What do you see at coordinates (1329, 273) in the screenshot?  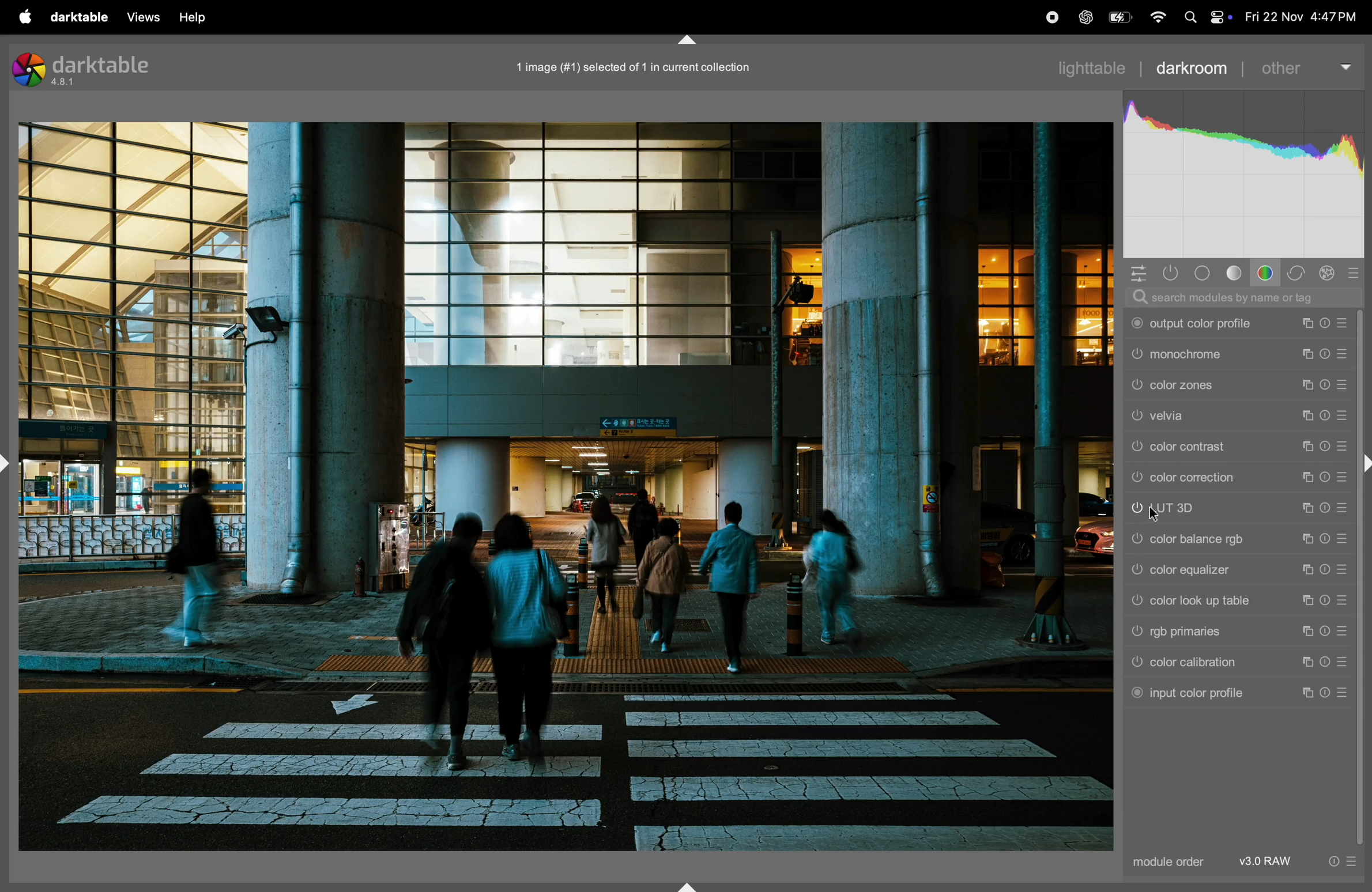 I see `effect` at bounding box center [1329, 273].